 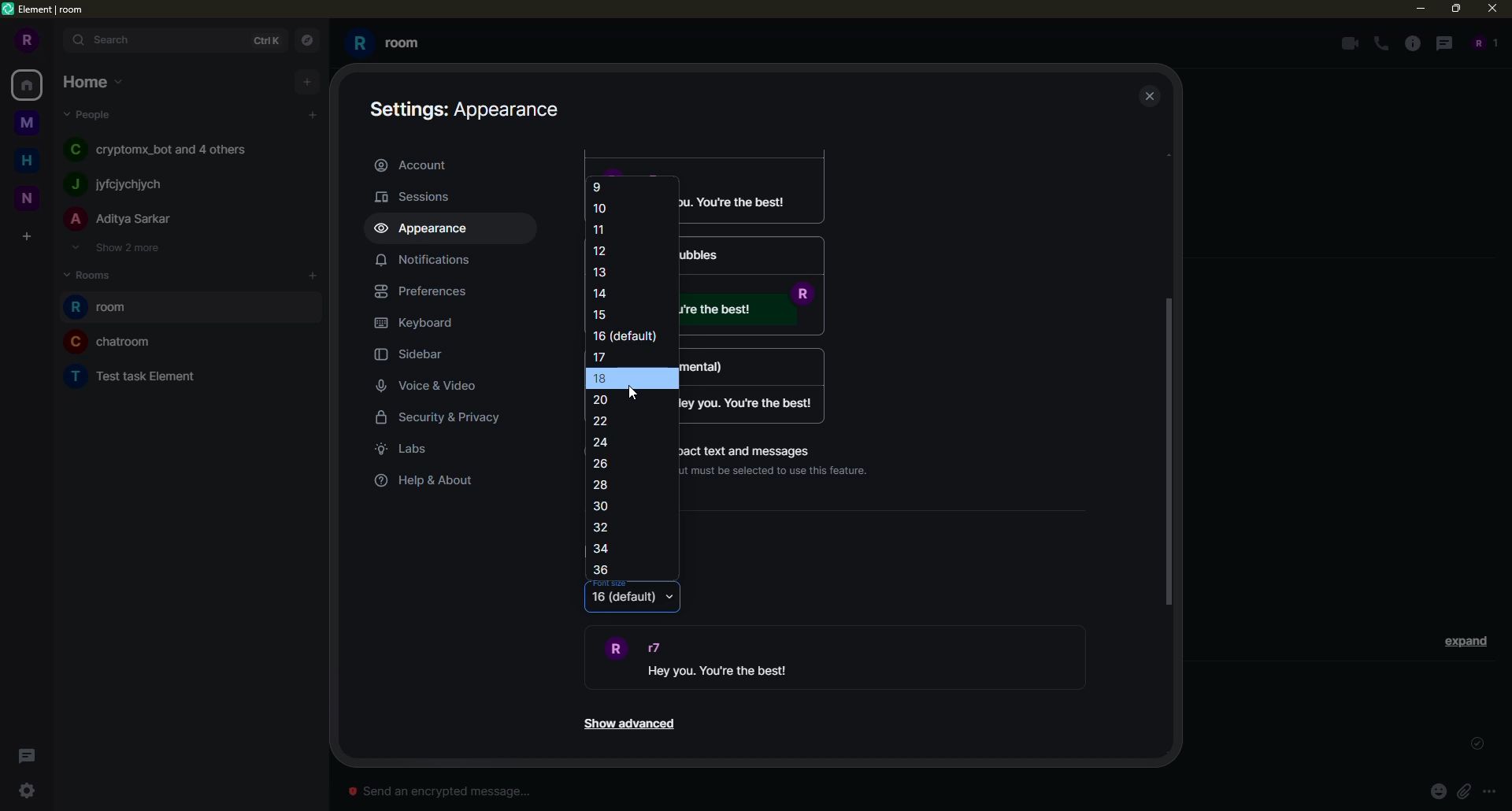 I want to click on show advanced, so click(x=628, y=724).